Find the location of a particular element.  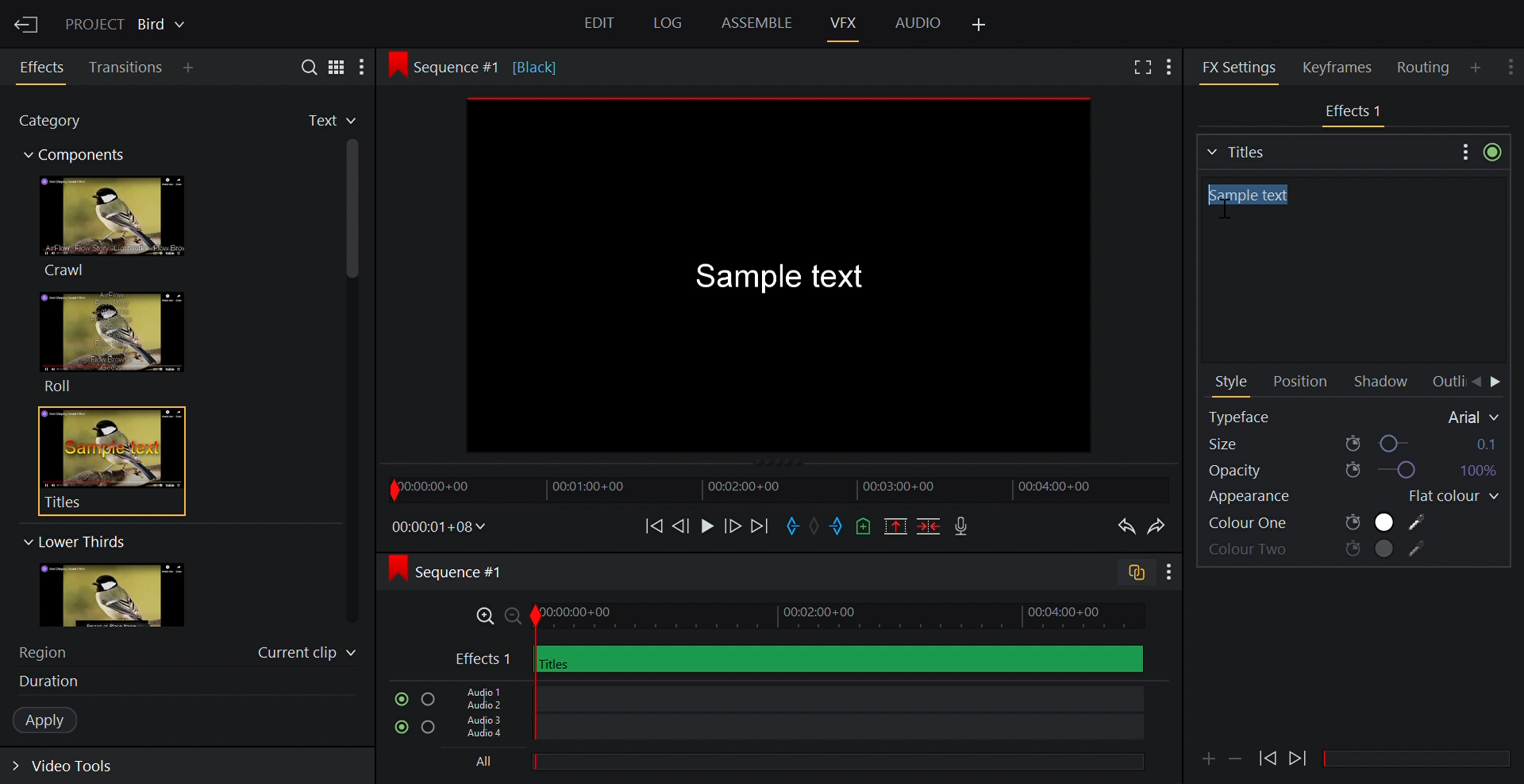

Mark in is located at coordinates (795, 525).